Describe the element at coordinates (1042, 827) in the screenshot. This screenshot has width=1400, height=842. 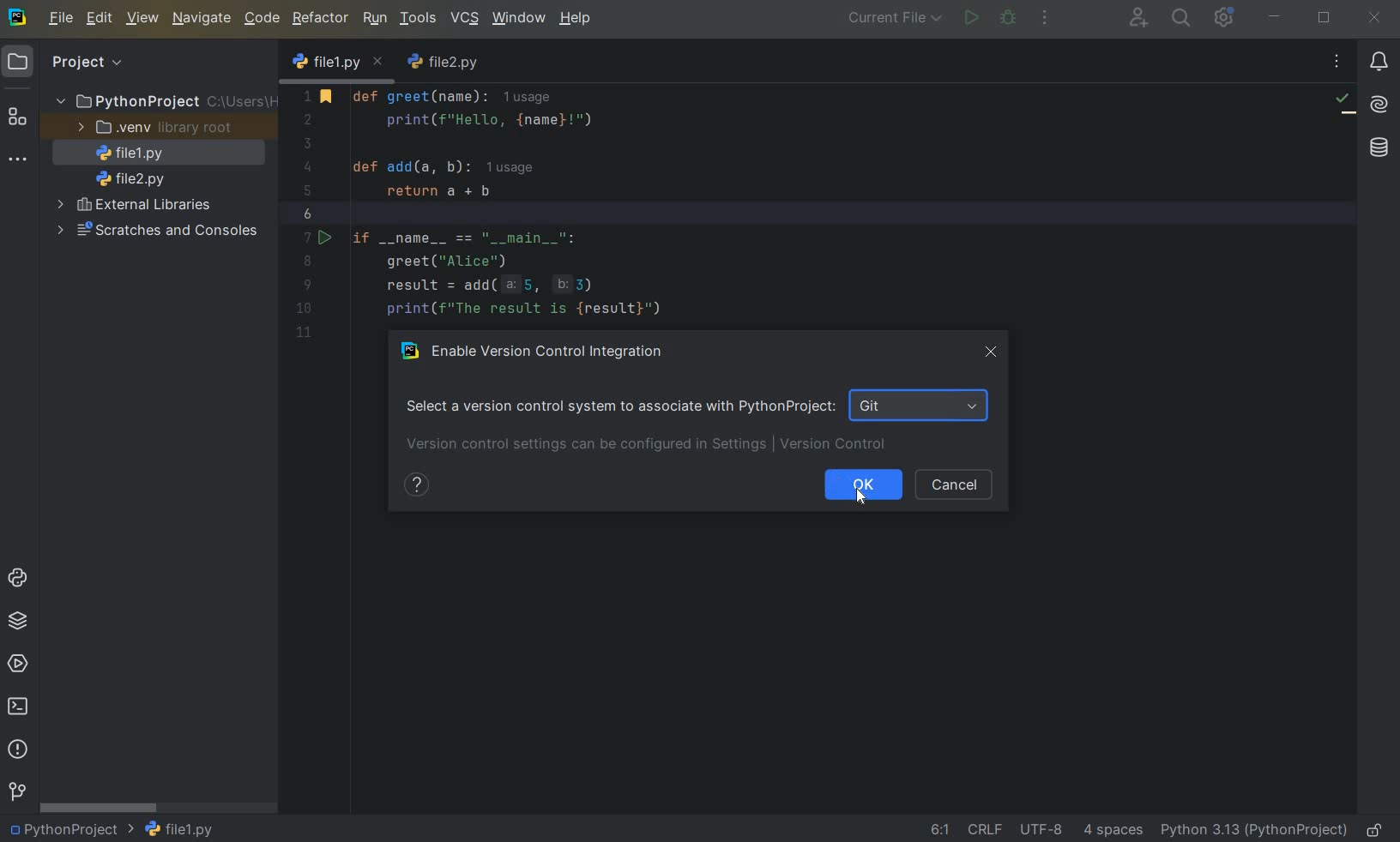
I see `file encoding` at that location.